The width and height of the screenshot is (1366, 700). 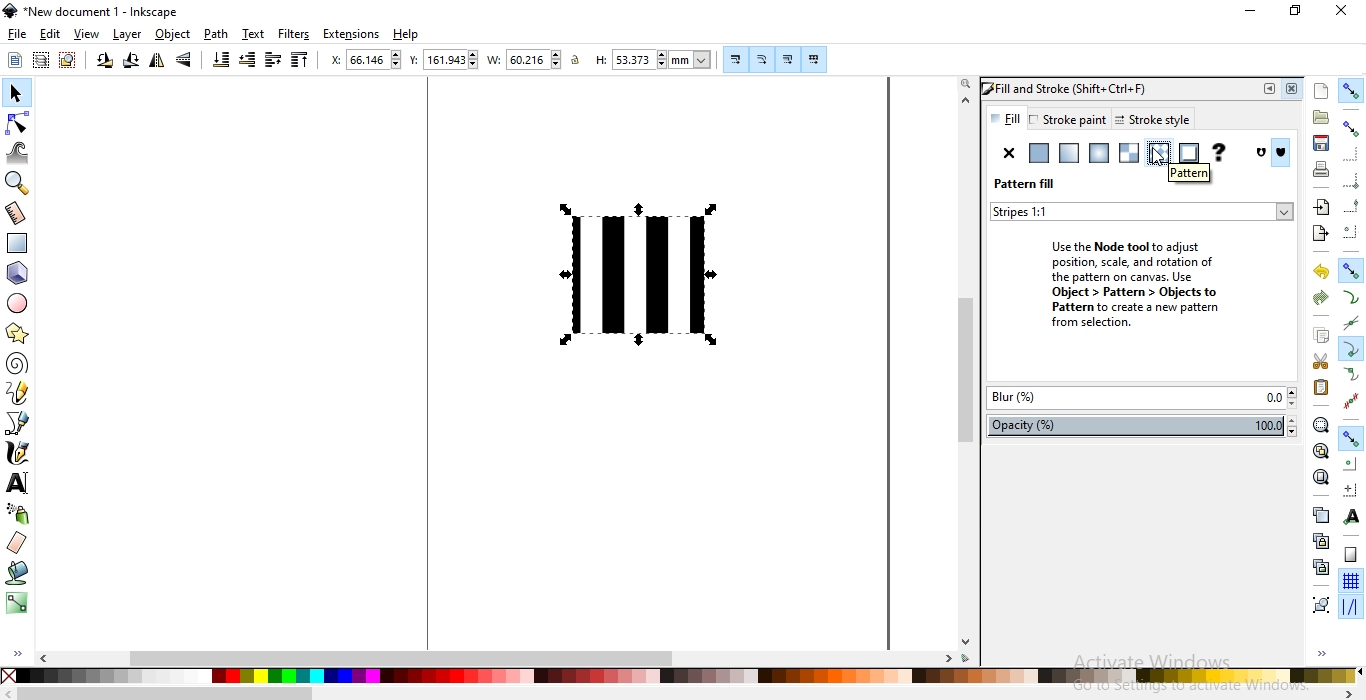 What do you see at coordinates (129, 63) in the screenshot?
I see `rotate 90 clockwiise` at bounding box center [129, 63].